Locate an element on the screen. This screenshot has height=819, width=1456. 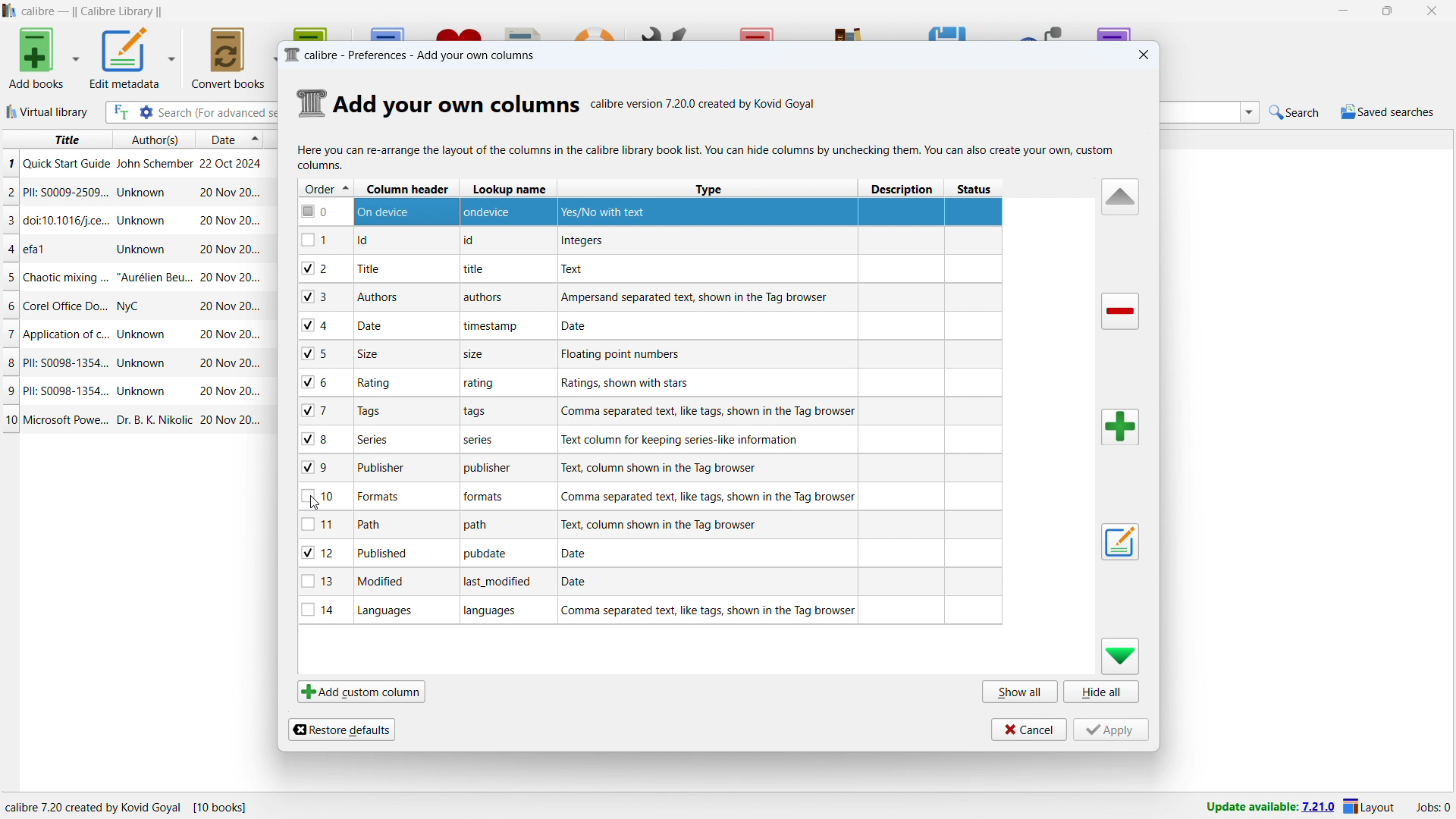
close is located at coordinates (1433, 11).